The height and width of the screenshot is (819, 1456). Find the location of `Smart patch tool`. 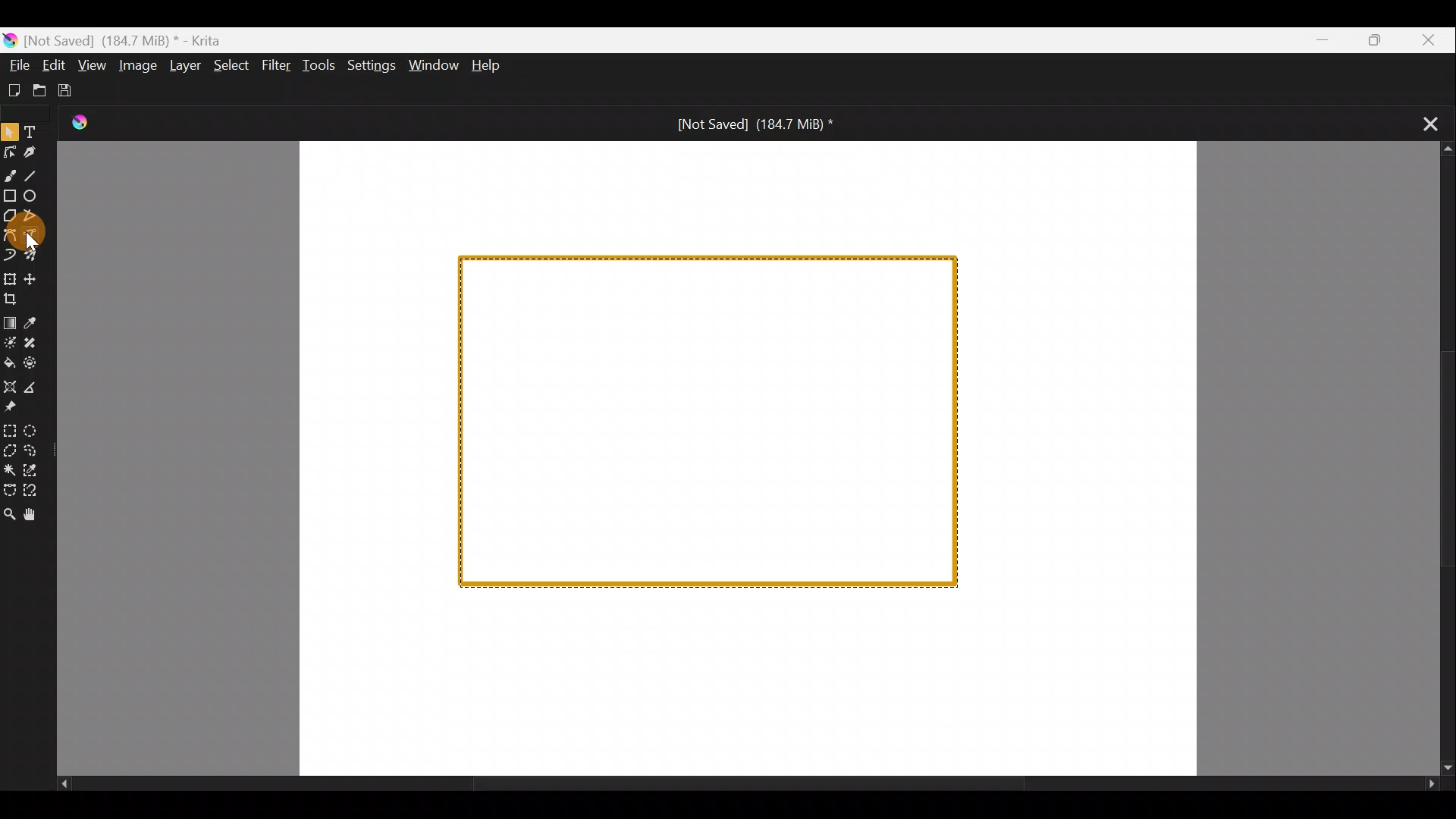

Smart patch tool is located at coordinates (33, 343).